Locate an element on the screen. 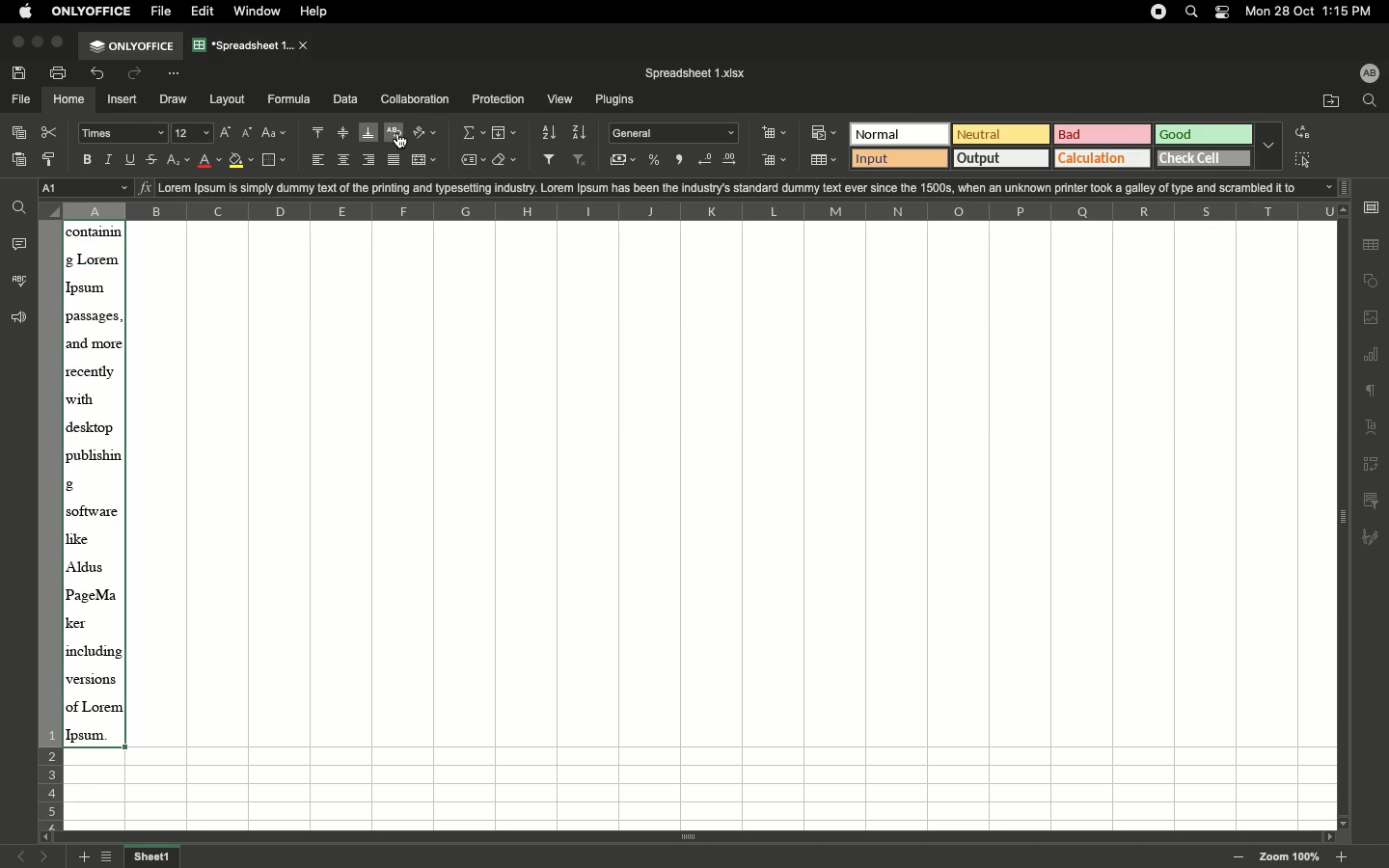 This screenshot has height=868, width=1389. Zoom in is located at coordinates (1344, 857).